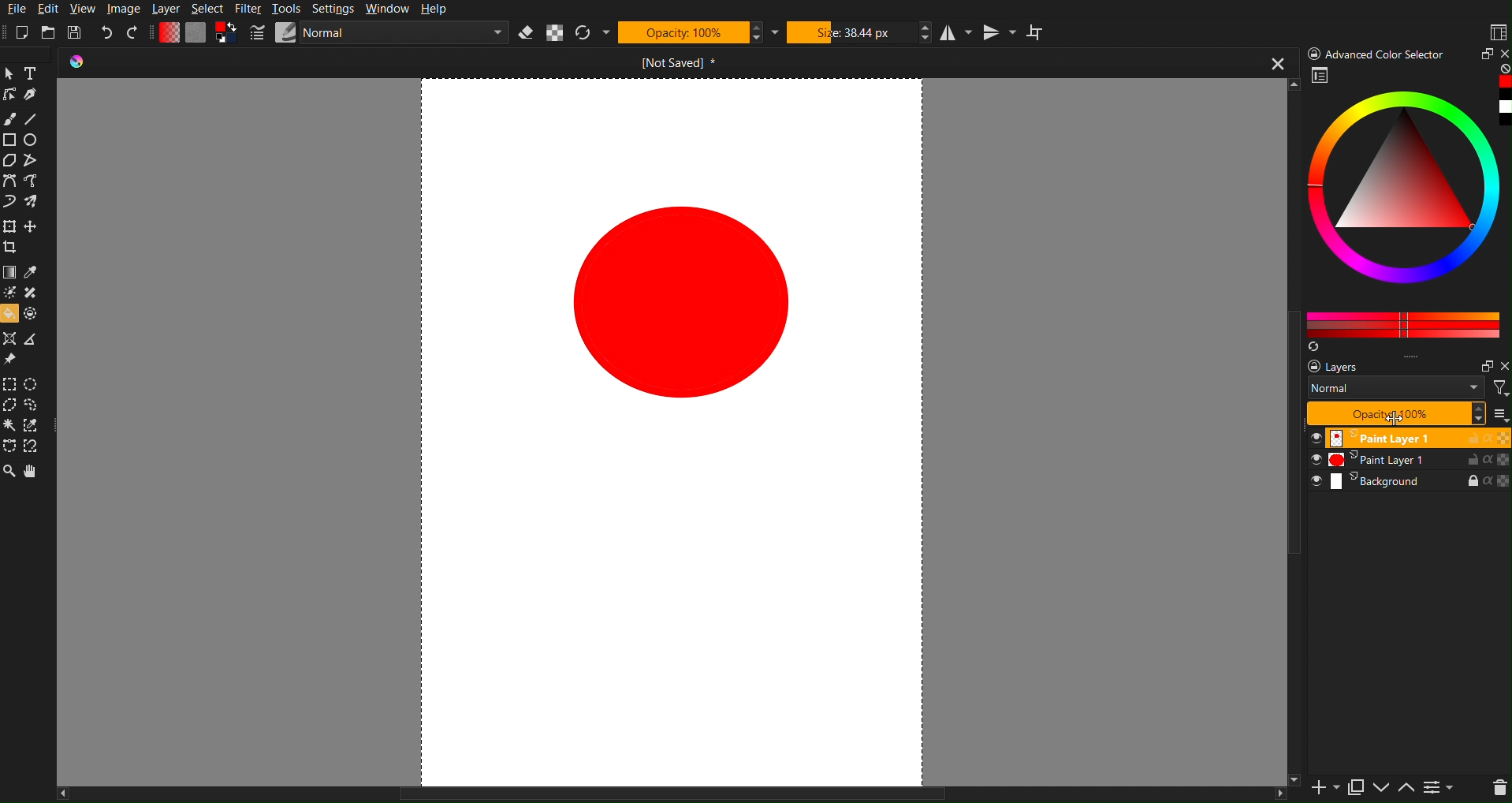  I want to click on Vertical Scrollbar, so click(1295, 629).